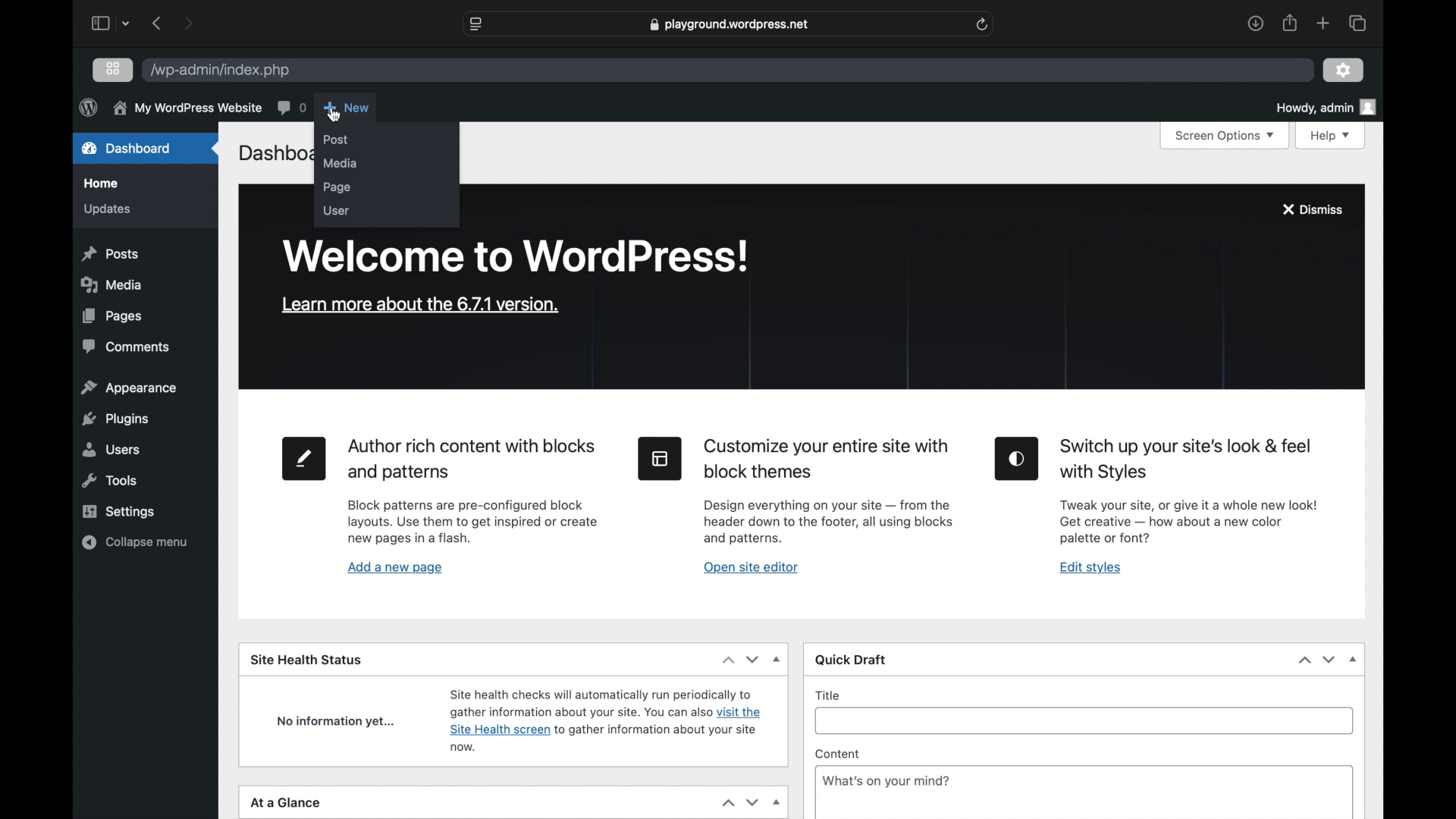  Describe the element at coordinates (304, 459) in the screenshot. I see `edit` at that location.